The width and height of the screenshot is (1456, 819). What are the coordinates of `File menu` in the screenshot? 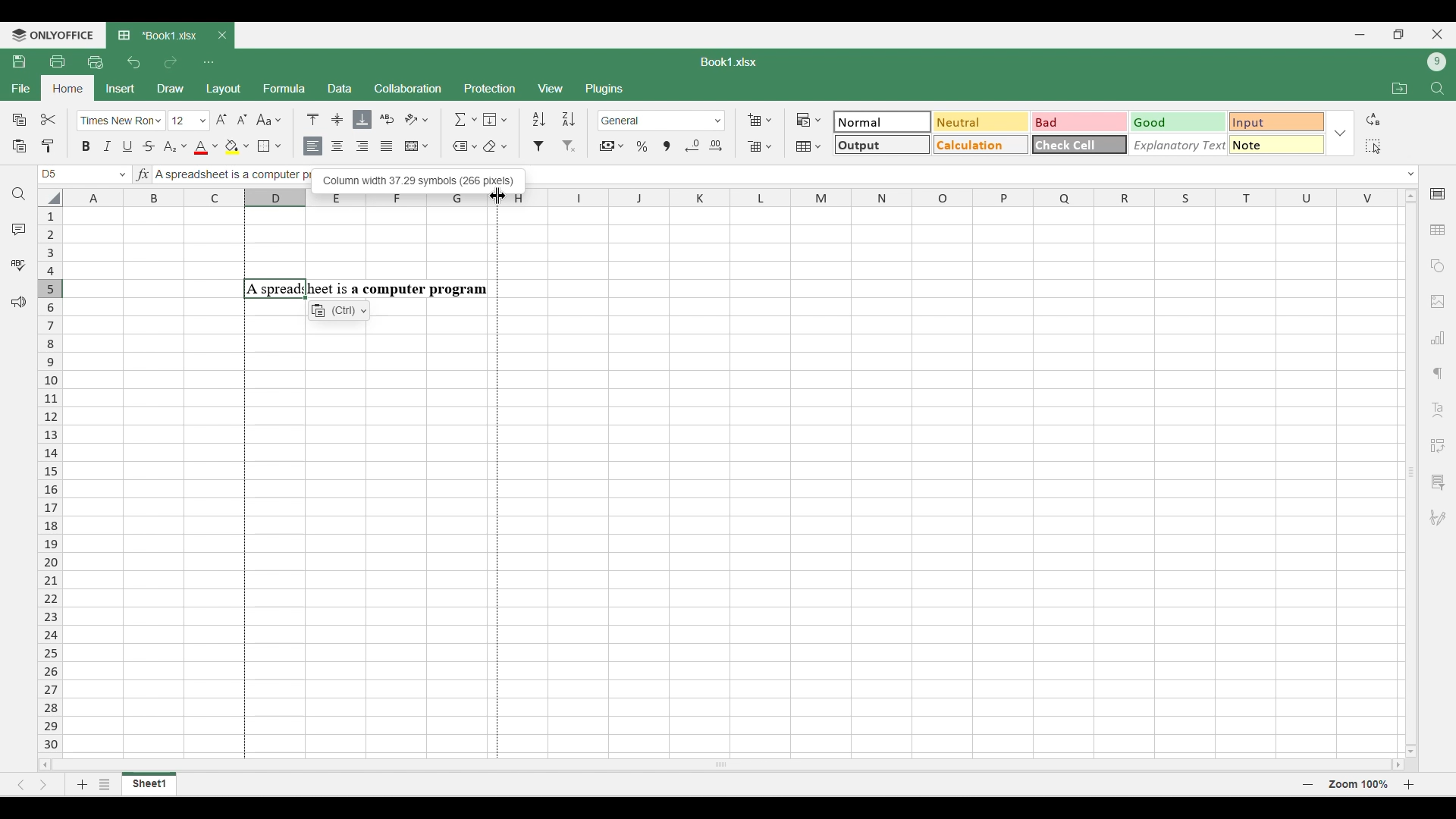 It's located at (20, 88).